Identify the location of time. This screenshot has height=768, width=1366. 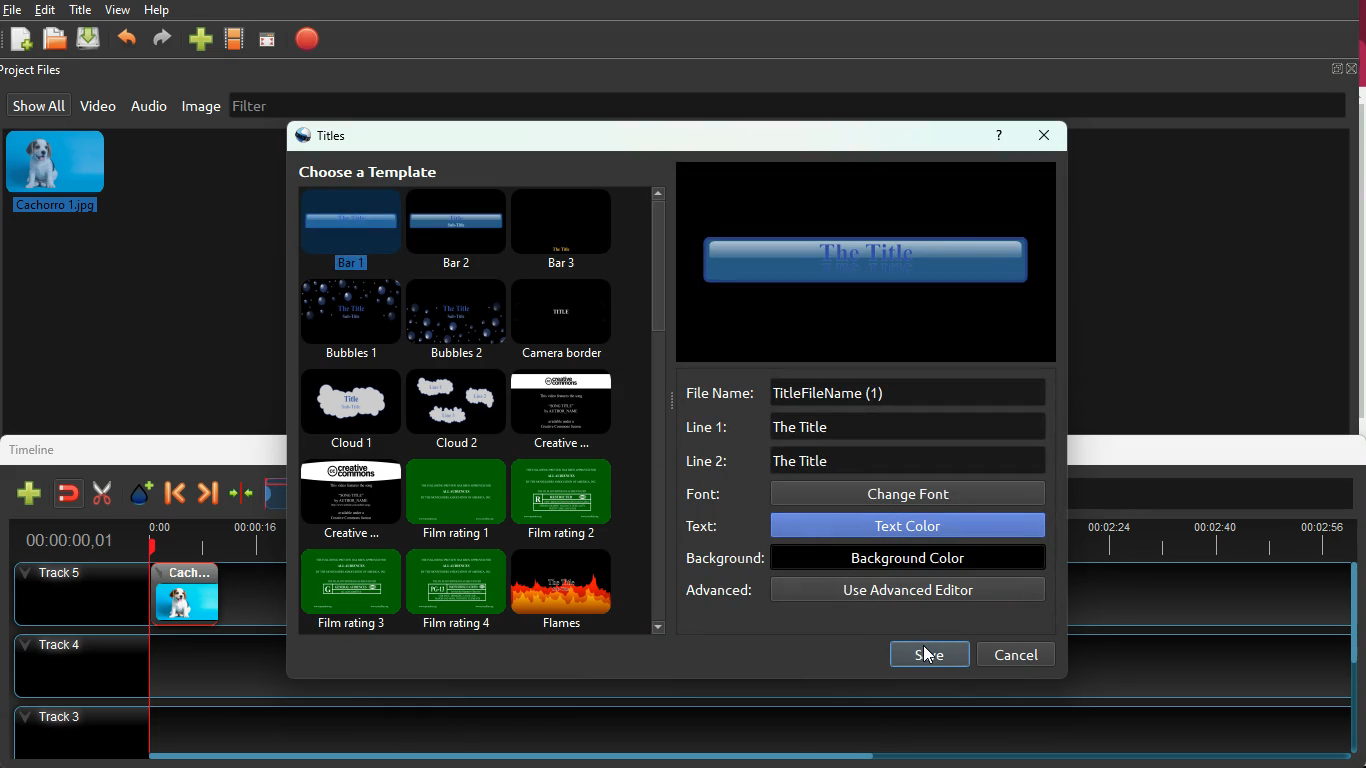
(214, 537).